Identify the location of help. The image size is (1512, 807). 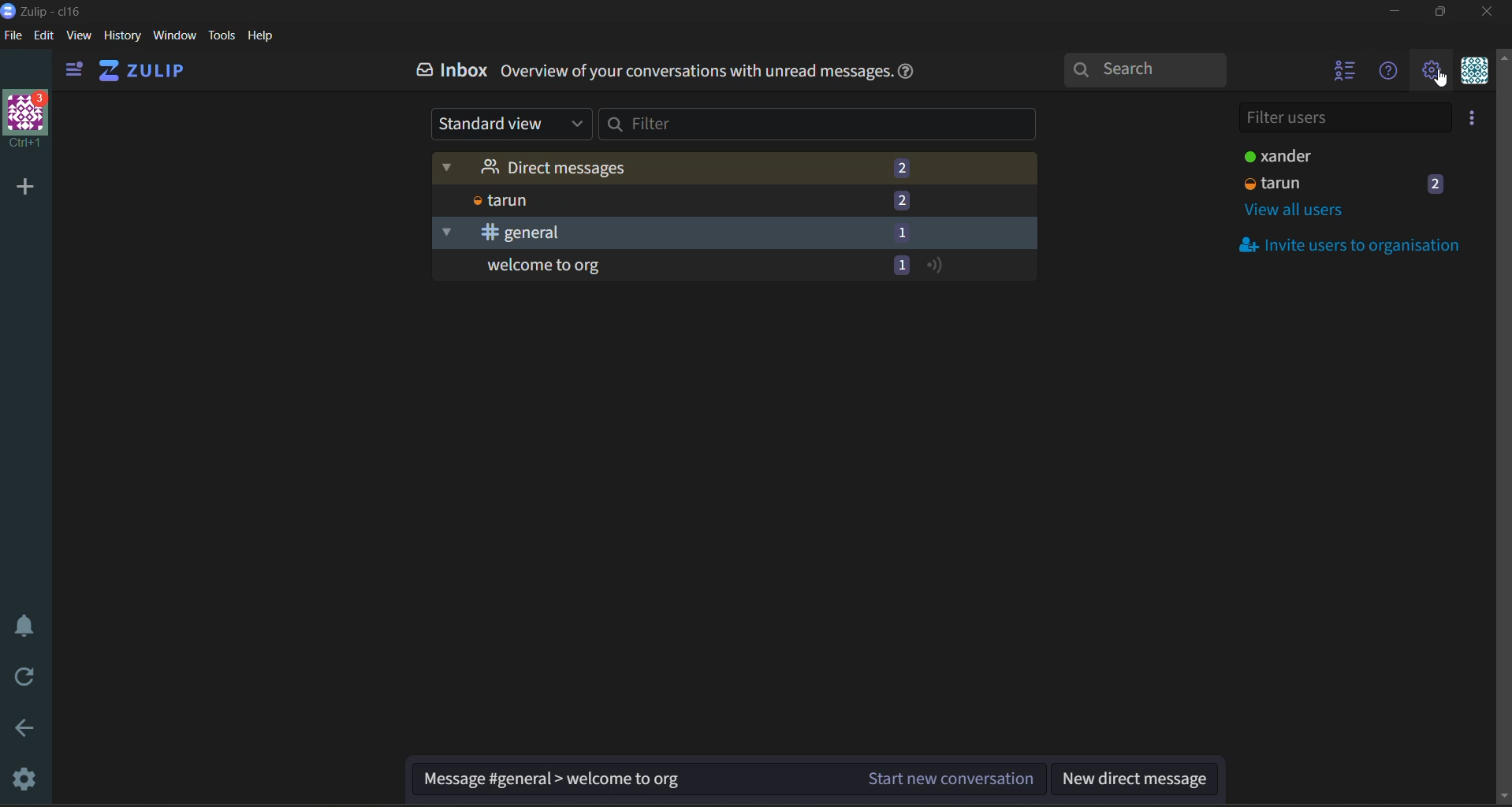
(263, 35).